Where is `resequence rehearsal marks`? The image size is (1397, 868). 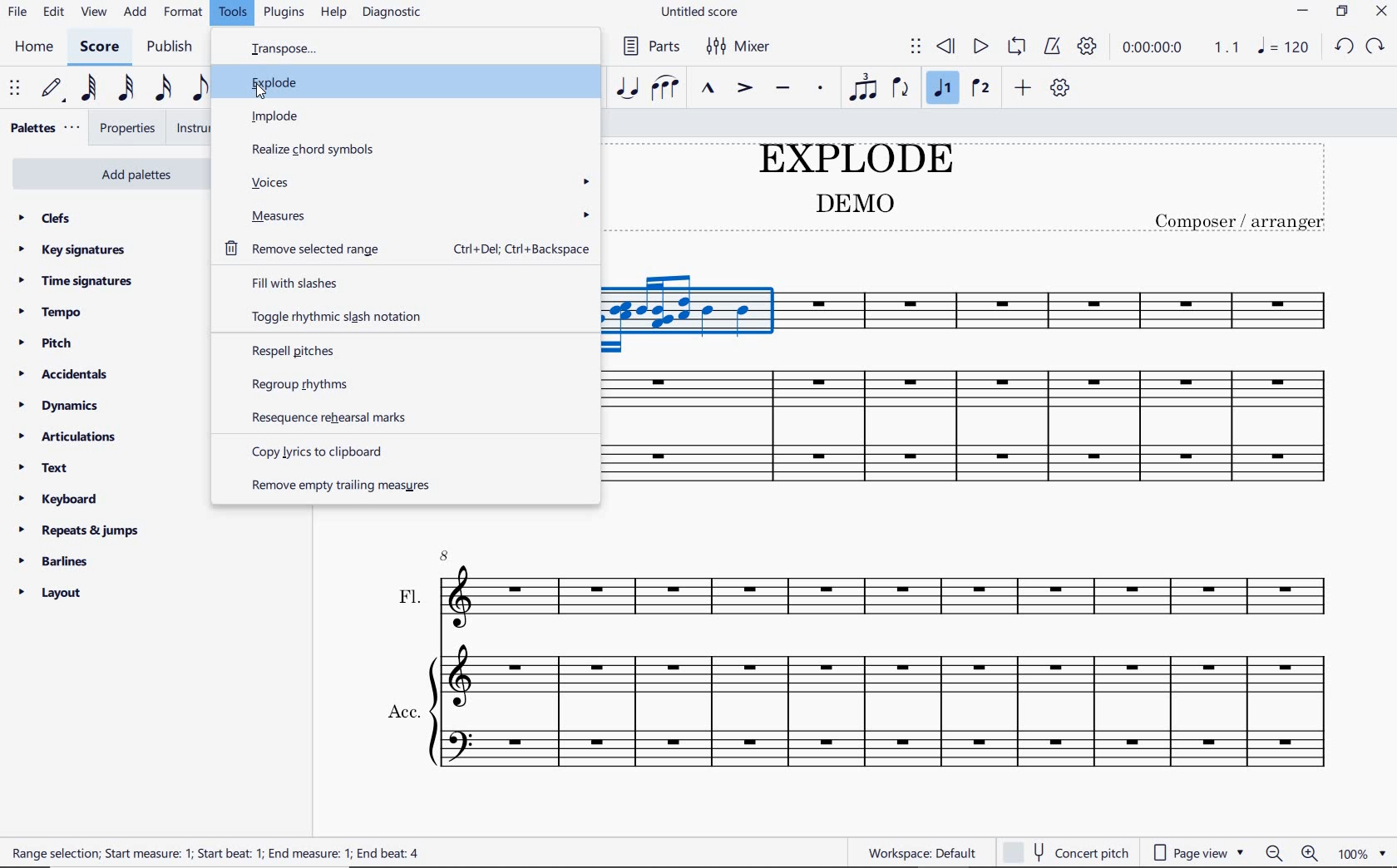
resequence rehearsal marks is located at coordinates (397, 417).